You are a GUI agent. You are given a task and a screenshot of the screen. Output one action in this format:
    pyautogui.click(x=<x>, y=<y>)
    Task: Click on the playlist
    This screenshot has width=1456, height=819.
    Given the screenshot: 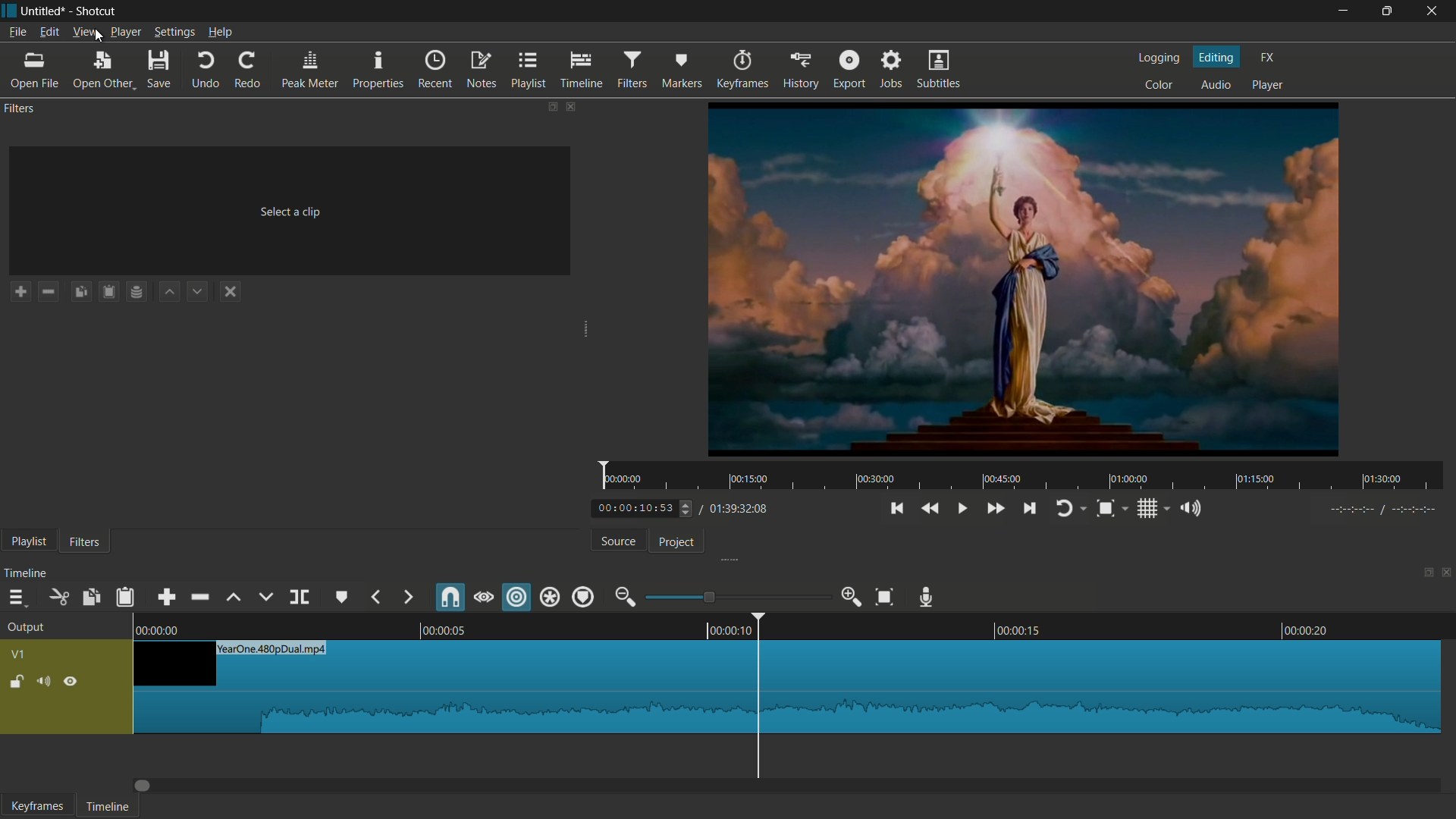 What is the action you would take?
    pyautogui.click(x=529, y=71)
    